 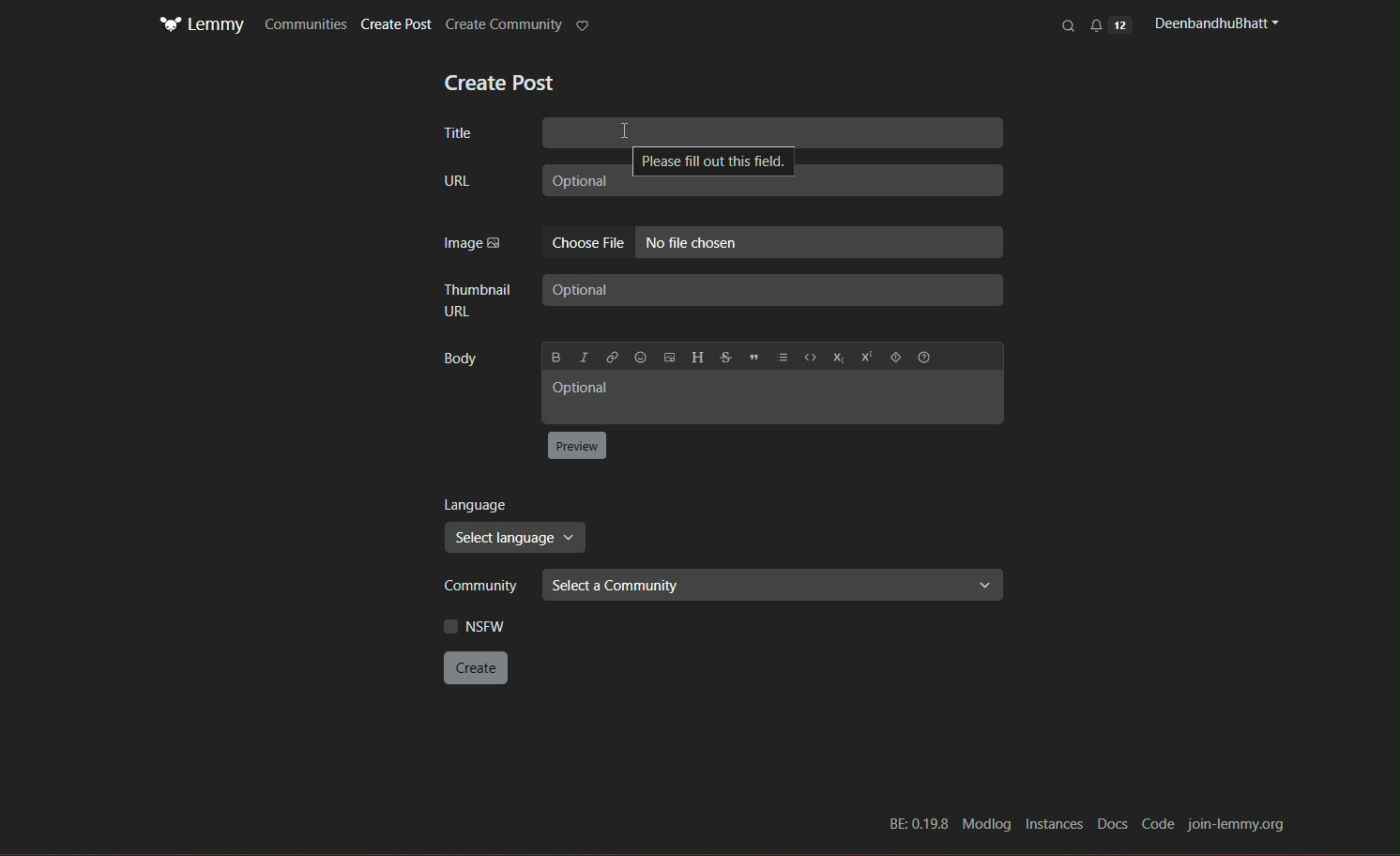 I want to click on Logo and title, so click(x=202, y=25).